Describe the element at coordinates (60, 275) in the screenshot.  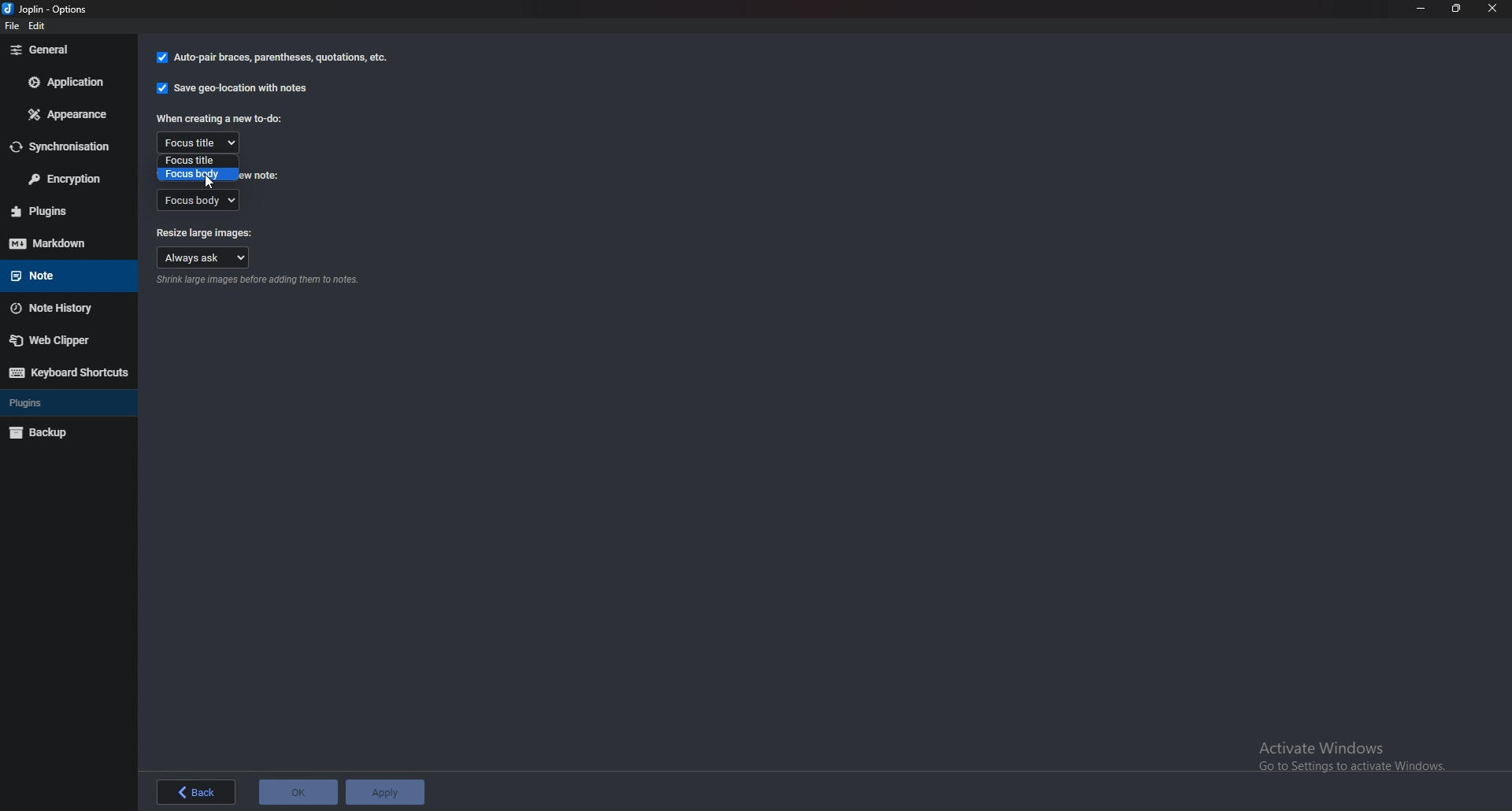
I see `note` at that location.